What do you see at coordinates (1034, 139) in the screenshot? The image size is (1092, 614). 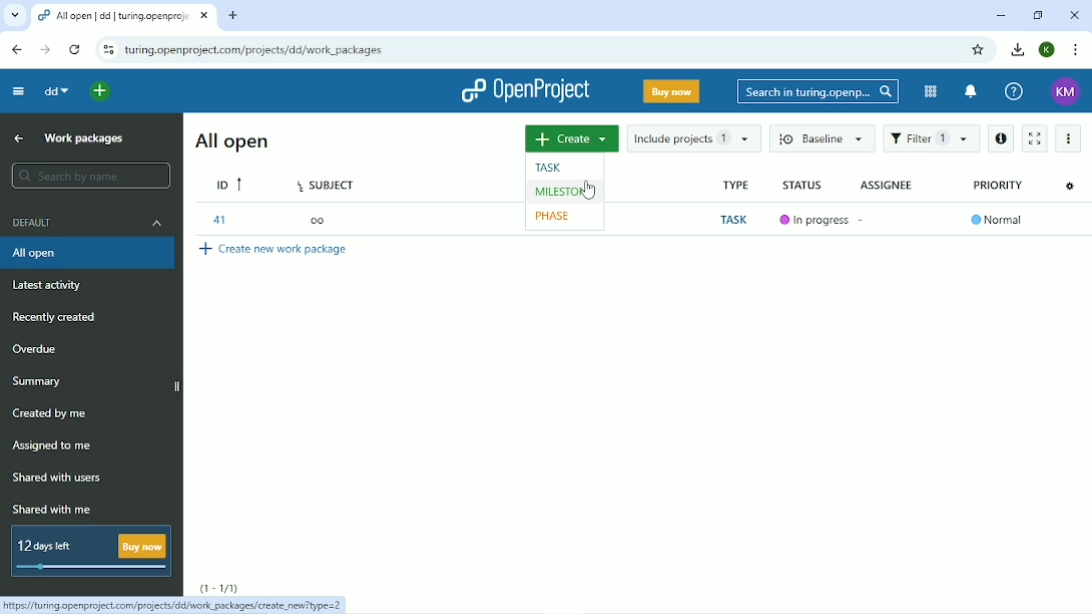 I see `Activate zen mode` at bounding box center [1034, 139].